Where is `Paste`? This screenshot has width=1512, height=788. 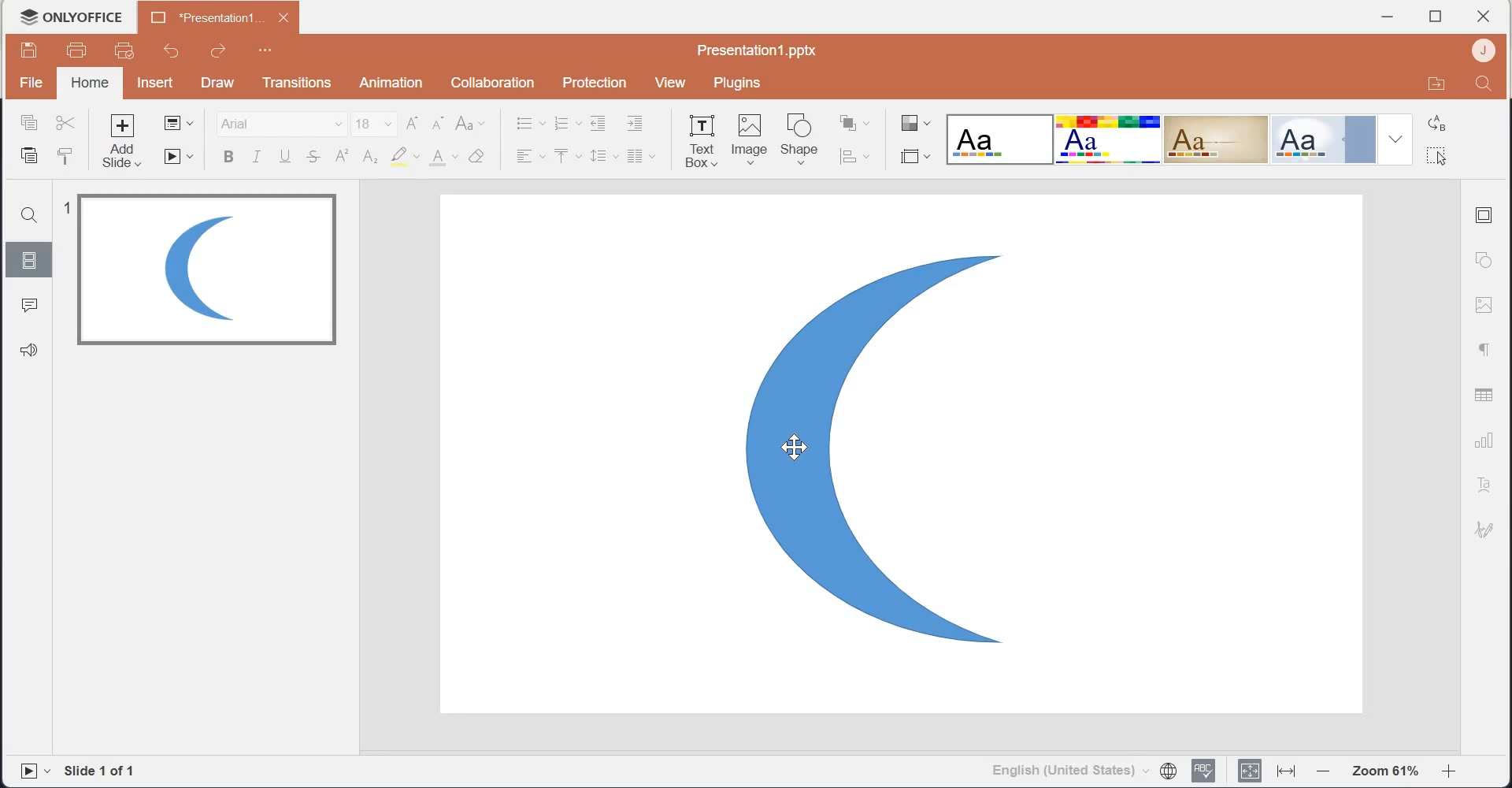
Paste is located at coordinates (29, 155).